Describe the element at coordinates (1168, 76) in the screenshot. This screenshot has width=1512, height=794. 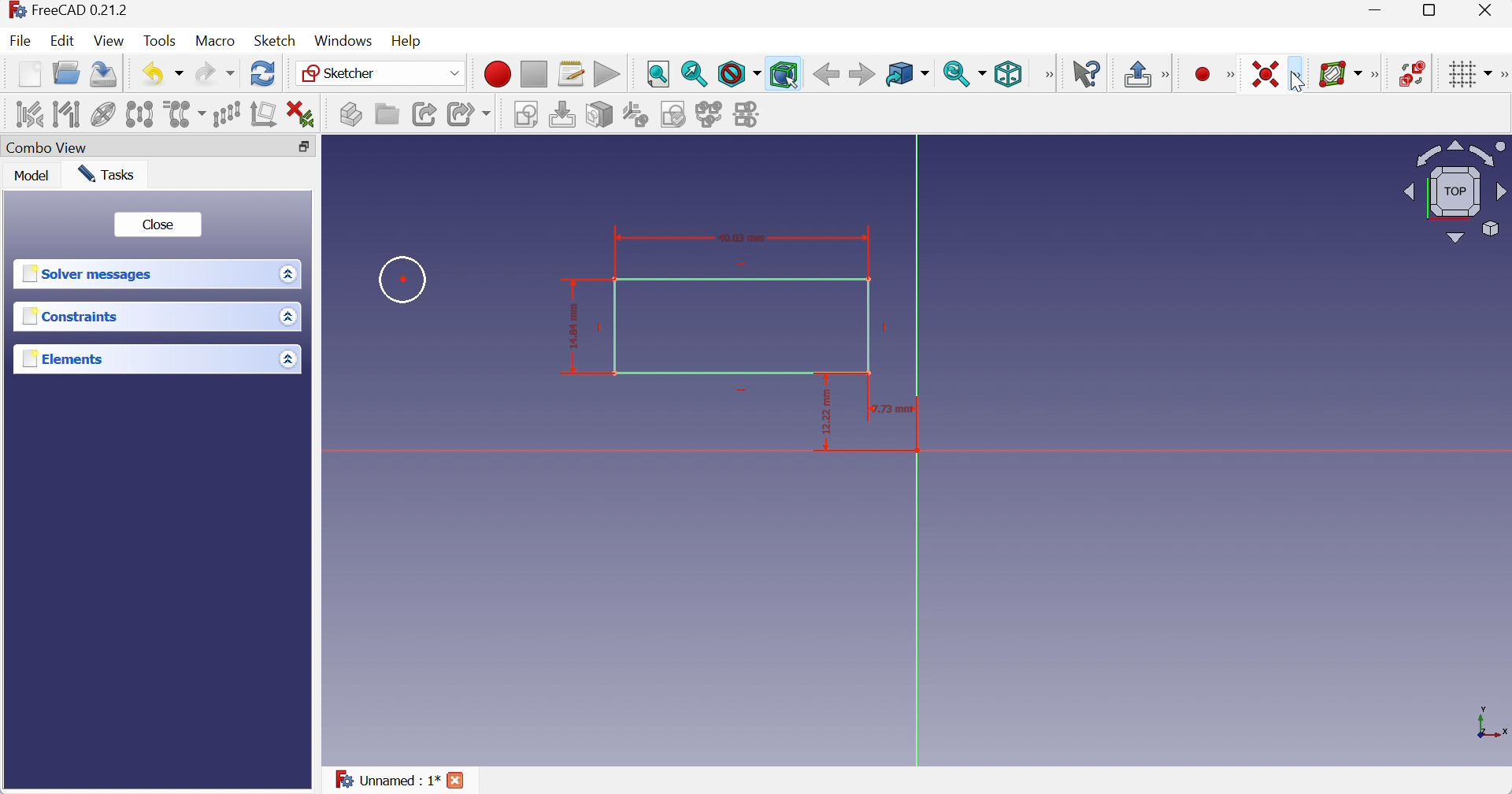
I see `[Sketcher edit mode]` at that location.